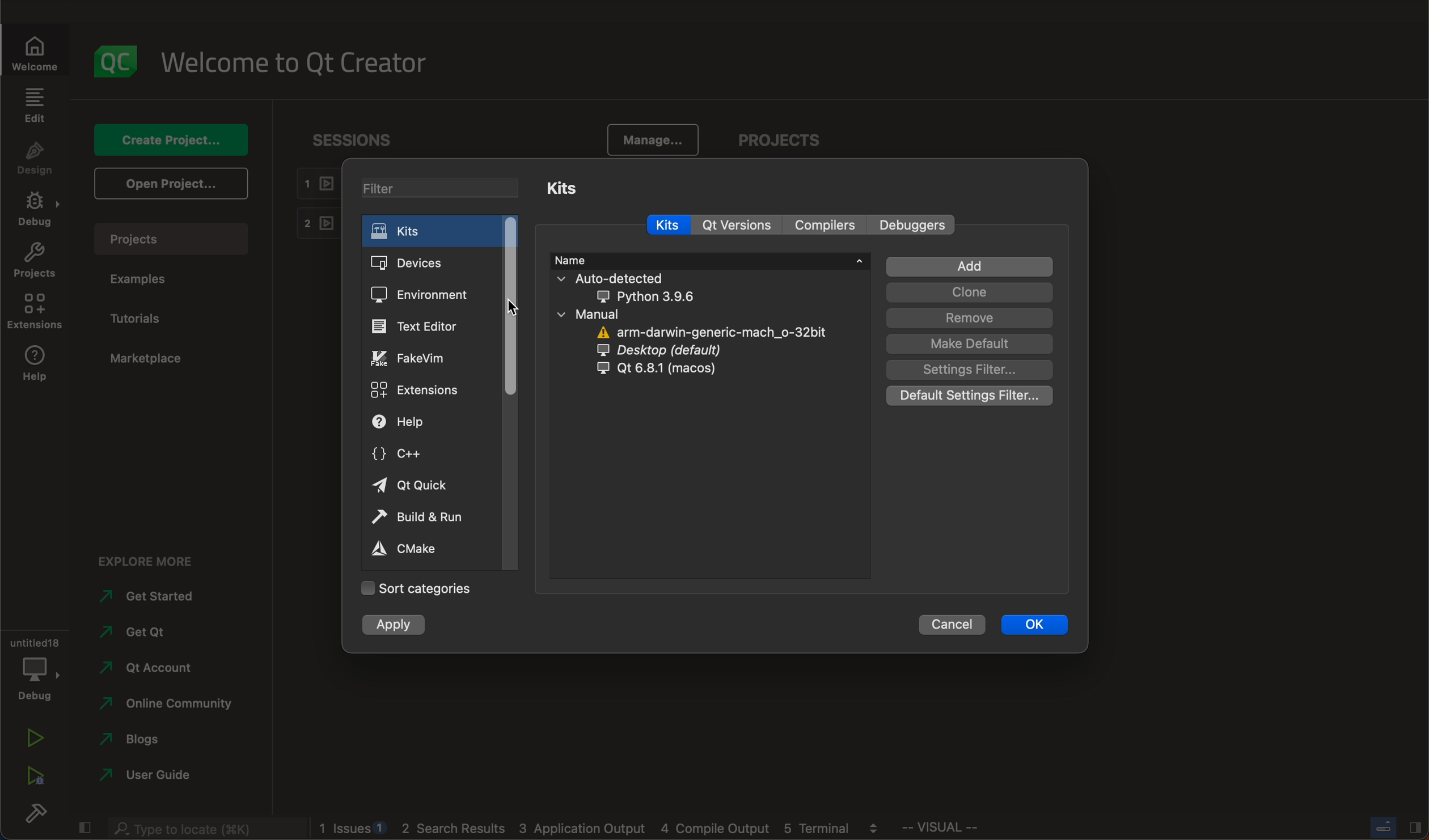  Describe the element at coordinates (970, 318) in the screenshot. I see `remove` at that location.